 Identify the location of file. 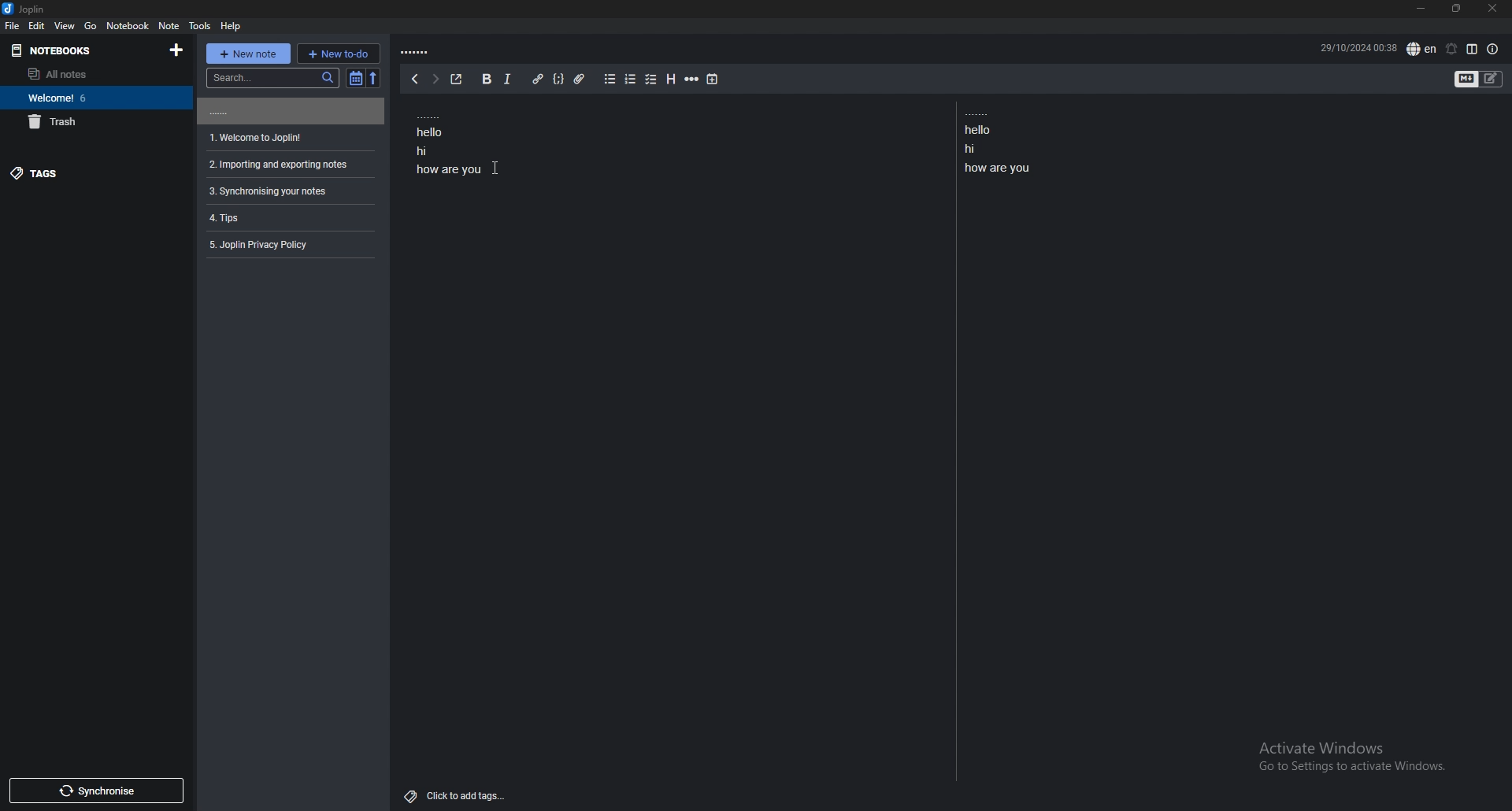
(13, 26).